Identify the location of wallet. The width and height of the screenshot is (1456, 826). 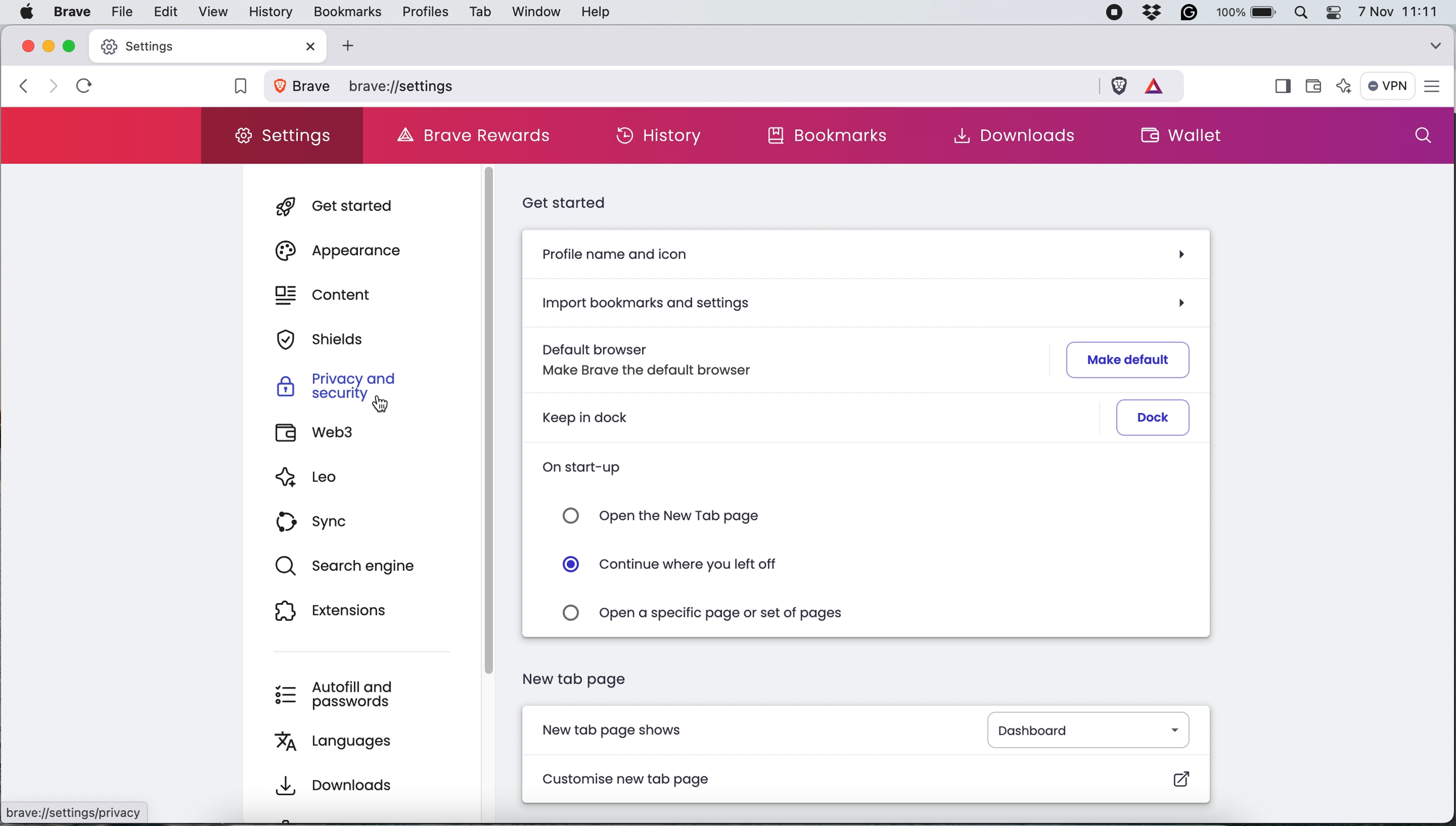
(1318, 82).